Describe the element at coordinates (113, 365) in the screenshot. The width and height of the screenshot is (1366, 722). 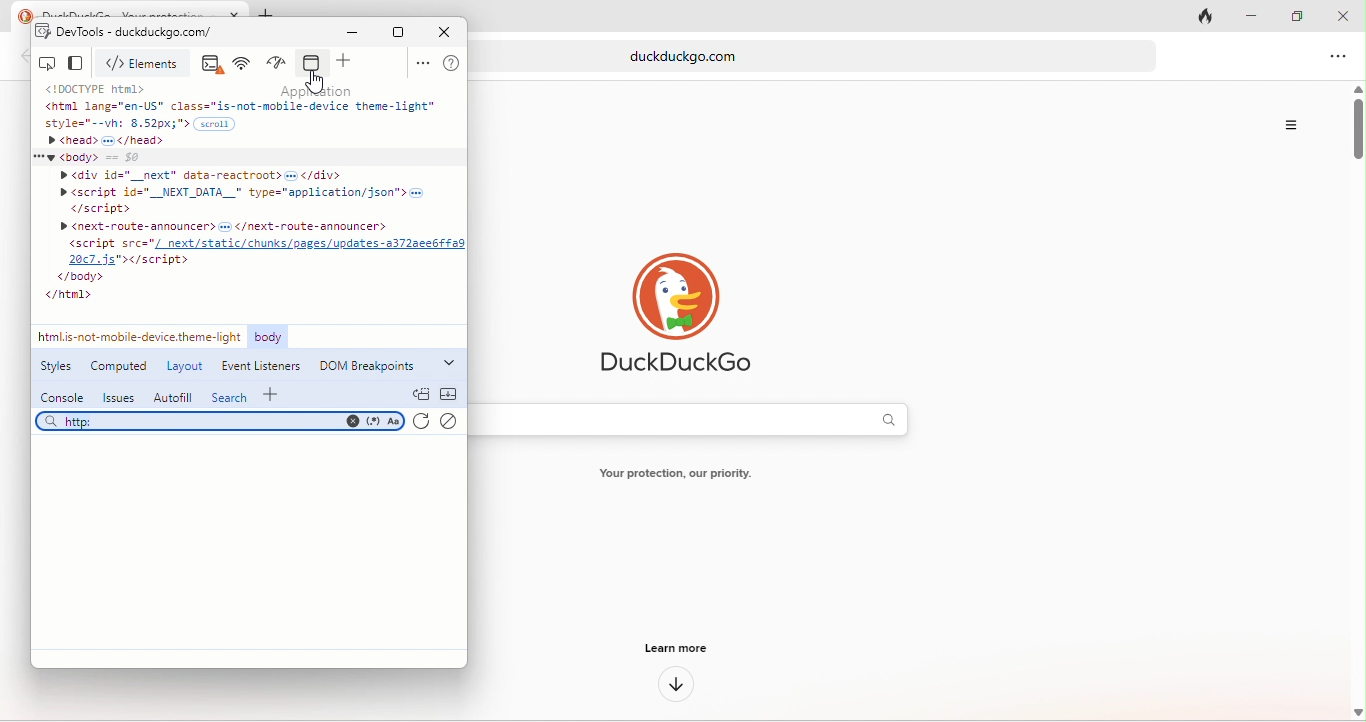
I see `computed` at that location.